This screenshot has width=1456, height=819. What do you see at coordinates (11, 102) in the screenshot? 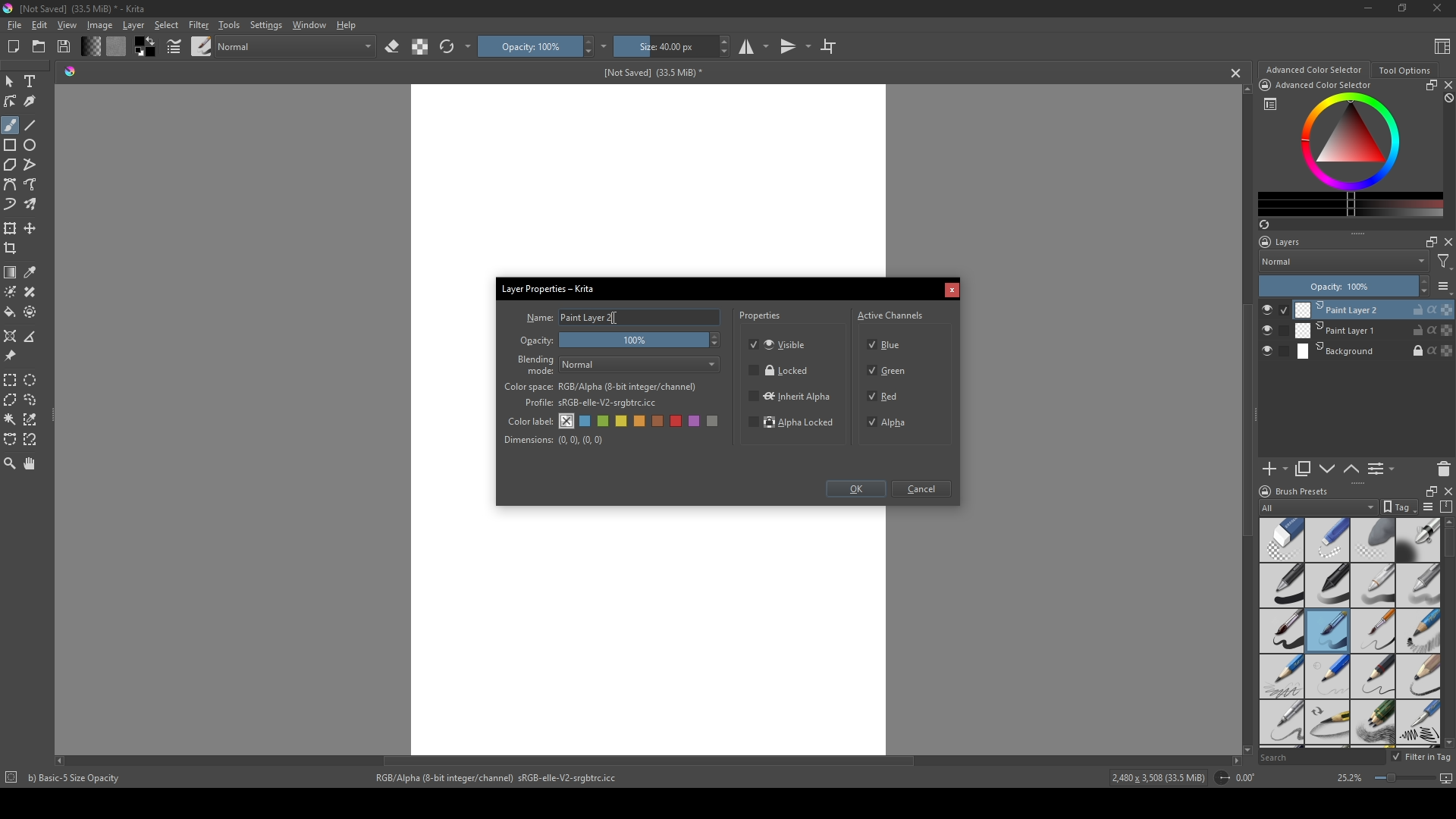
I see `edit shapes` at bounding box center [11, 102].